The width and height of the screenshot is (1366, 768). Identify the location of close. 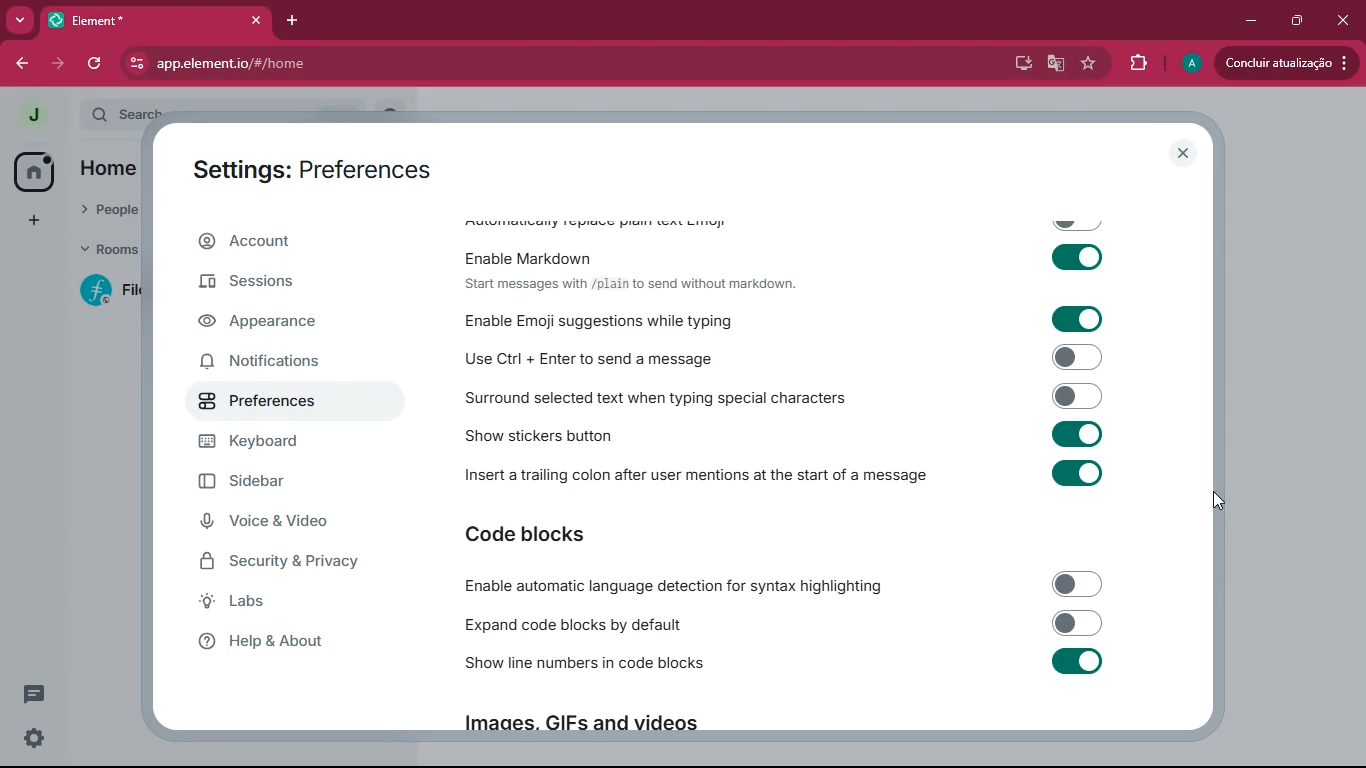
(1345, 20).